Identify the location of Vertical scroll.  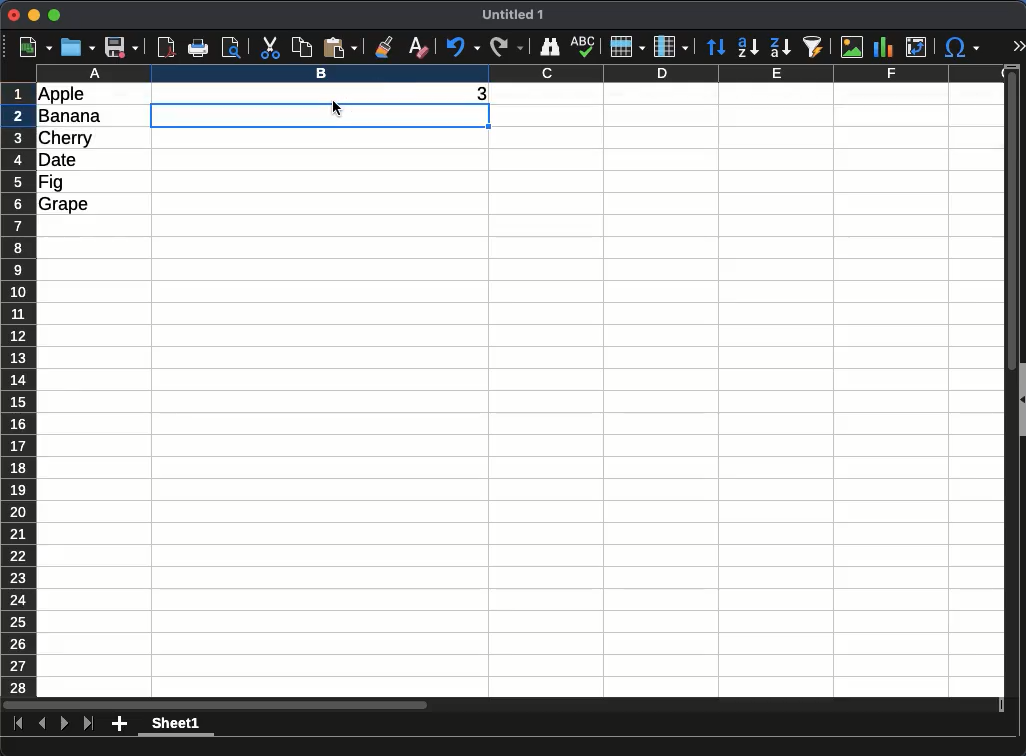
(1012, 381).